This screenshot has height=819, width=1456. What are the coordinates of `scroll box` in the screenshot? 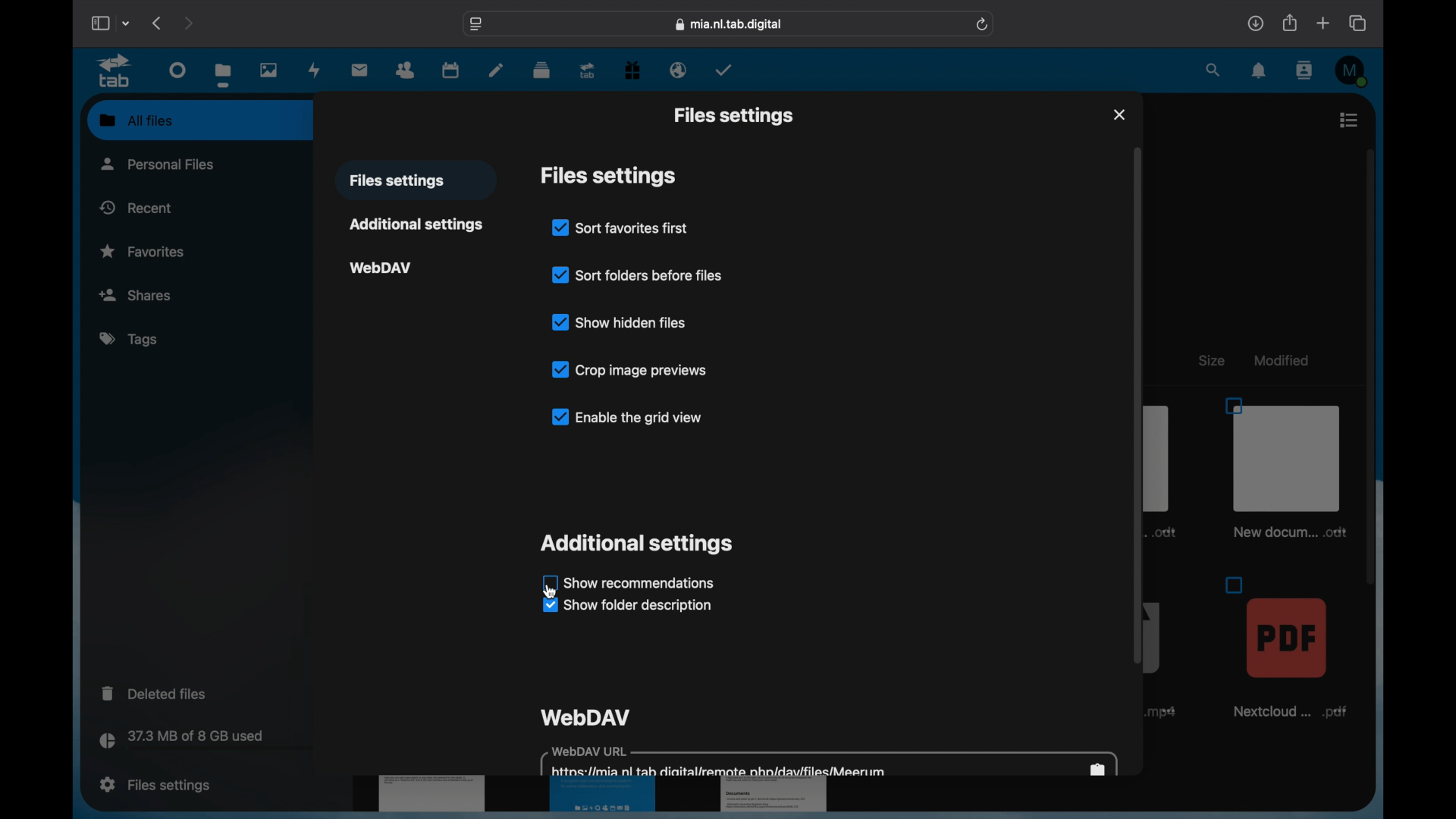 It's located at (1138, 406).